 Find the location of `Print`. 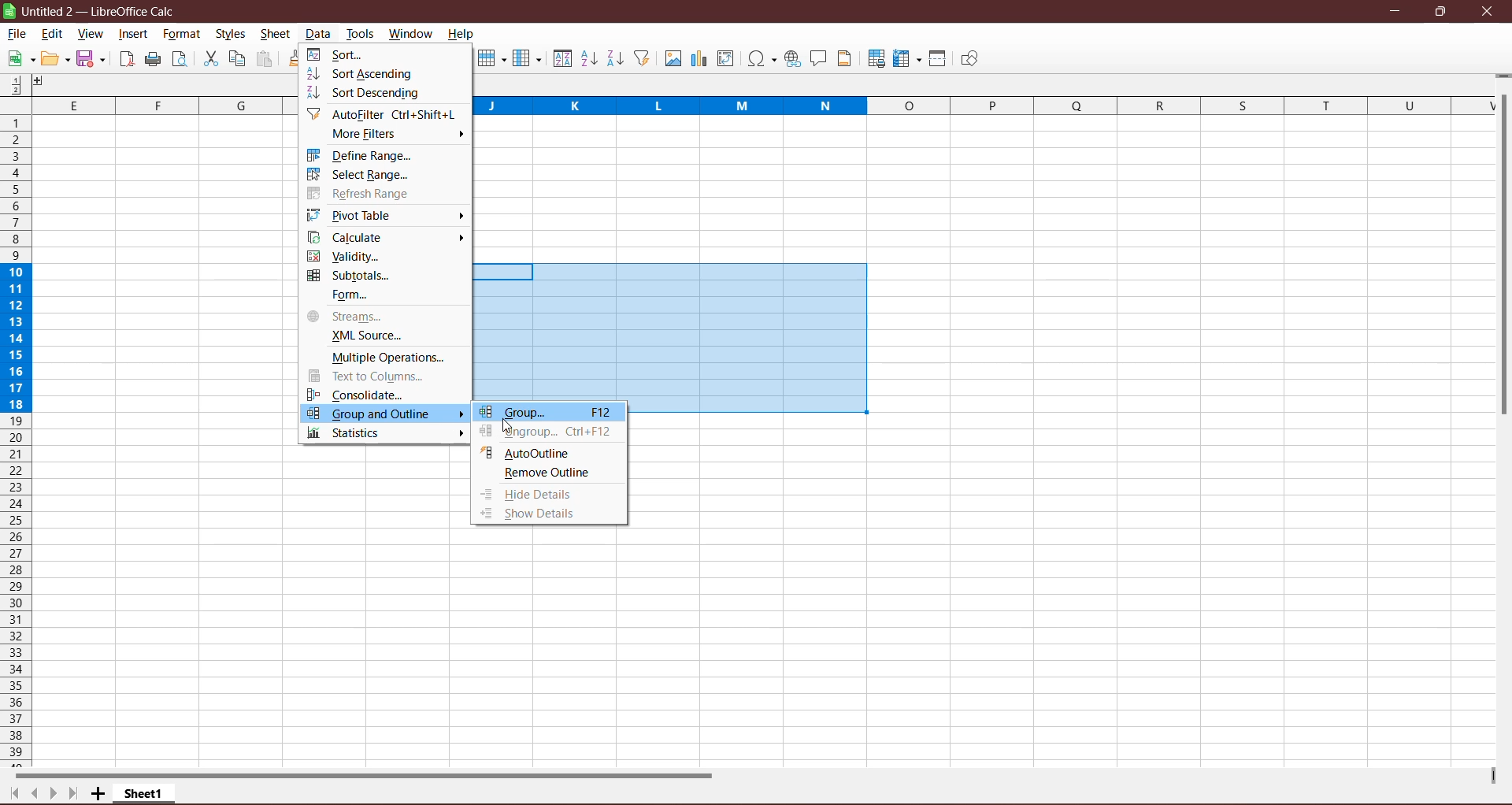

Print is located at coordinates (153, 60).